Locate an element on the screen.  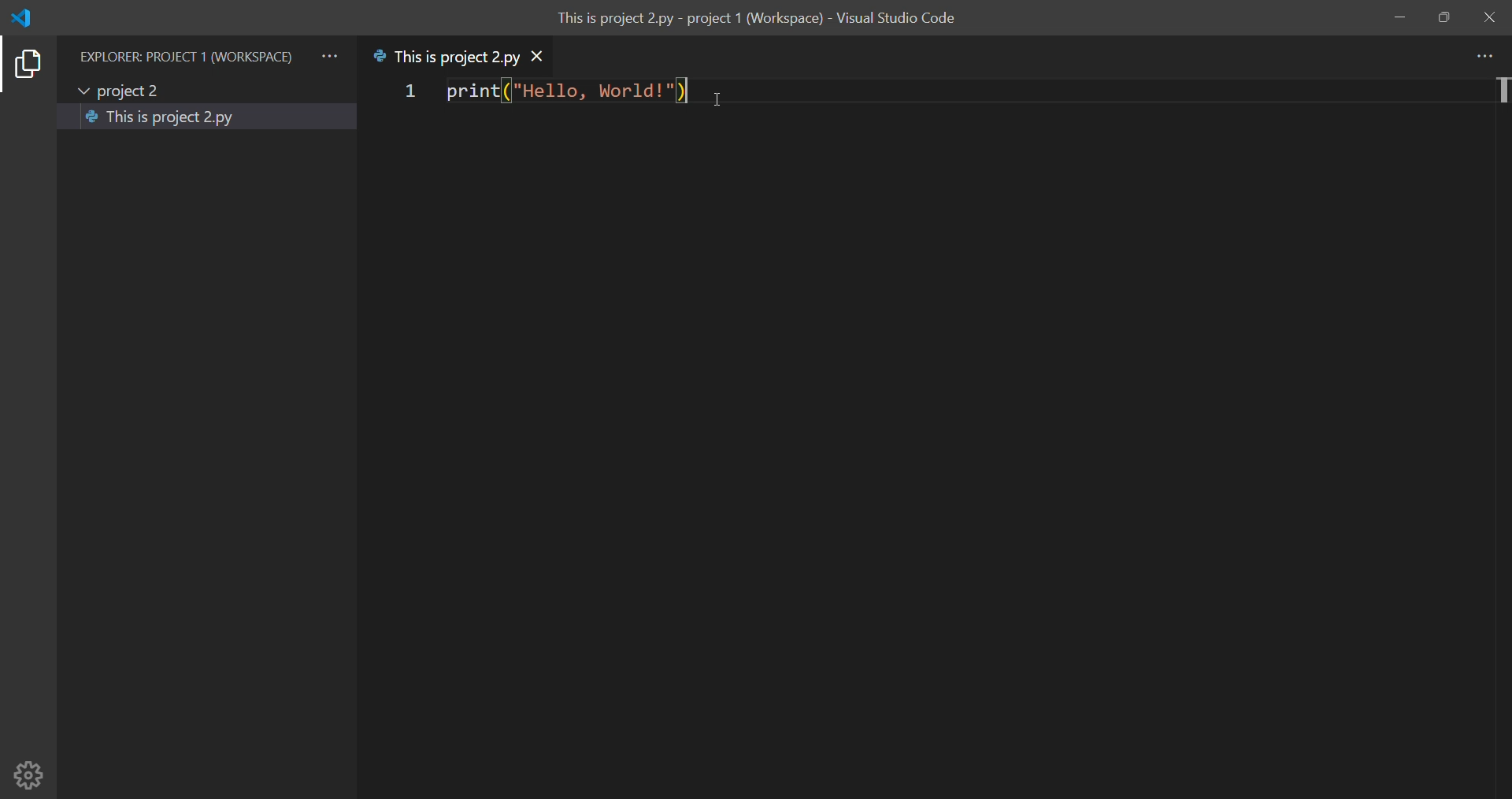
cursor is located at coordinates (736, 104).